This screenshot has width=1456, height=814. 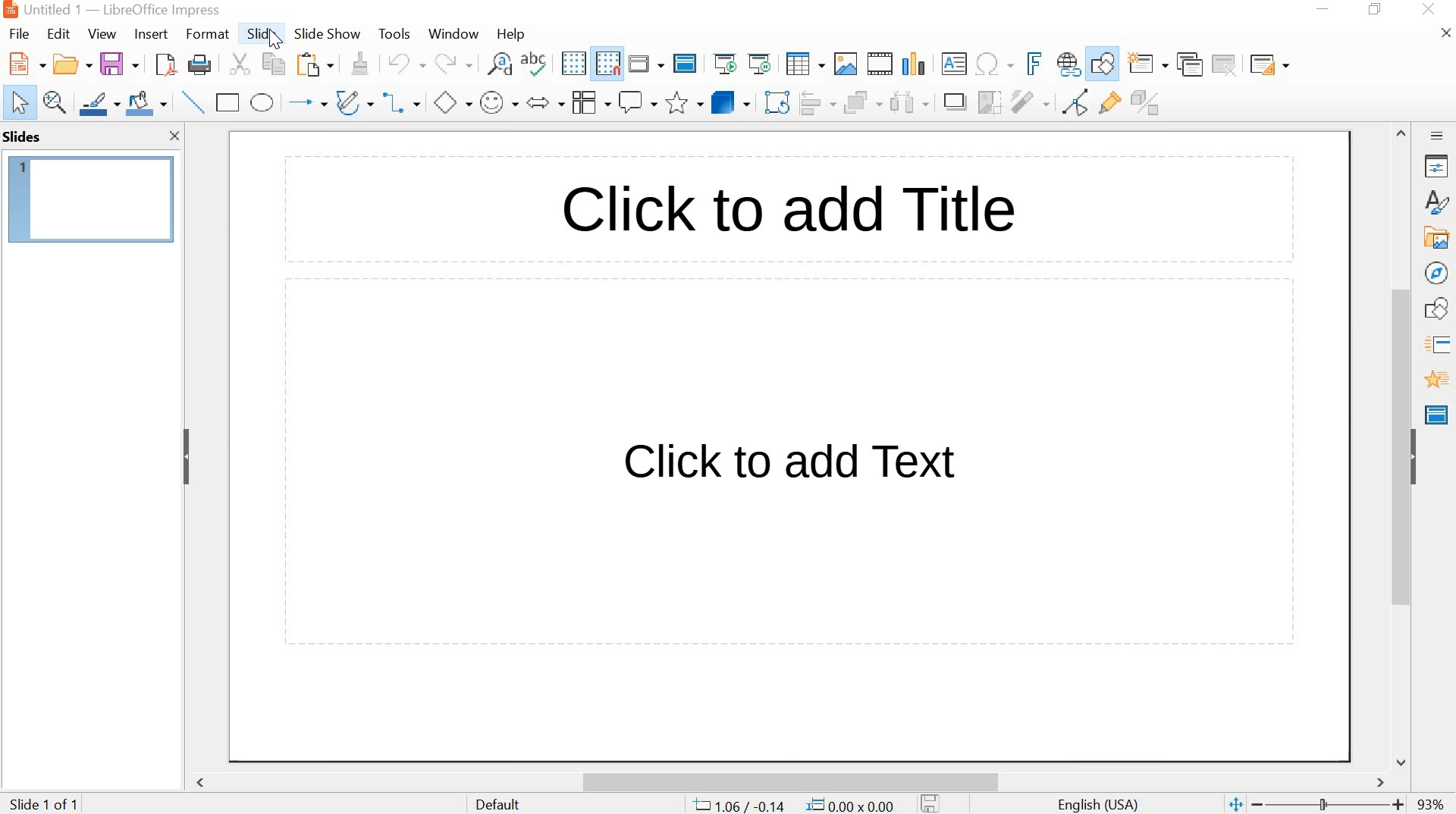 I want to click on Rectangle, so click(x=227, y=103).